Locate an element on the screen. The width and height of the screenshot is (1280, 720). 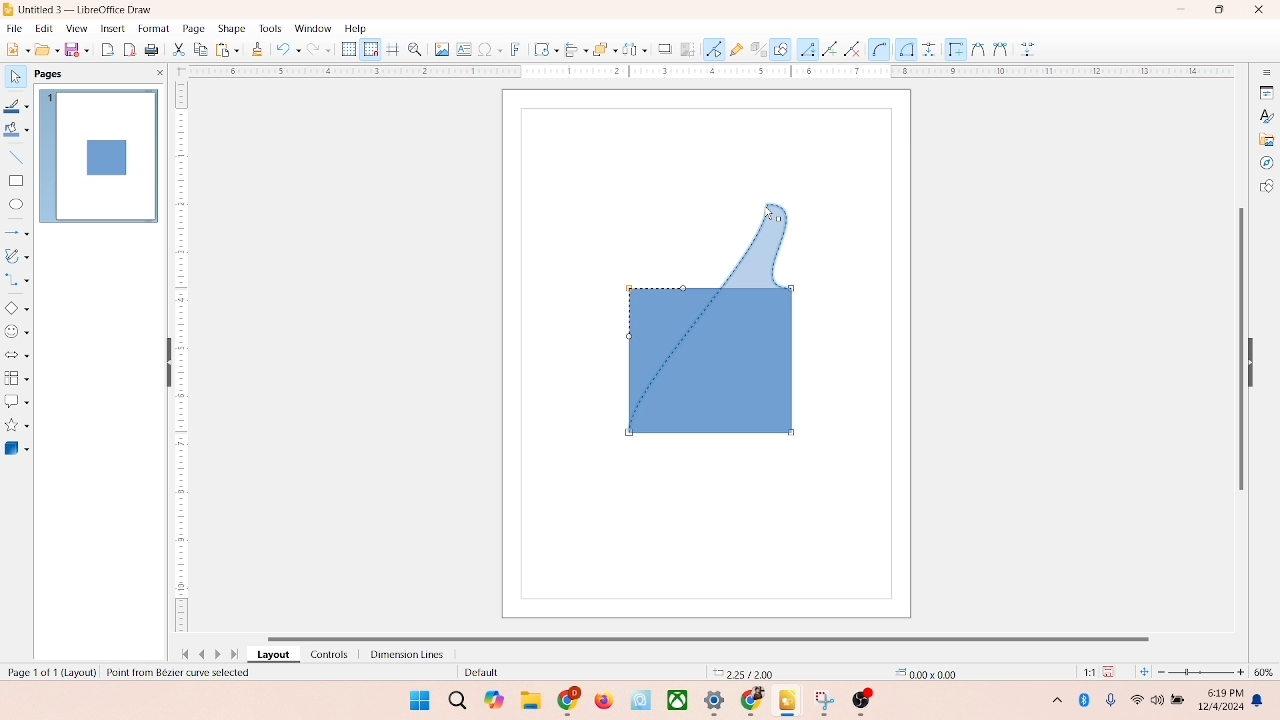
block arrow is located at coordinates (17, 356).